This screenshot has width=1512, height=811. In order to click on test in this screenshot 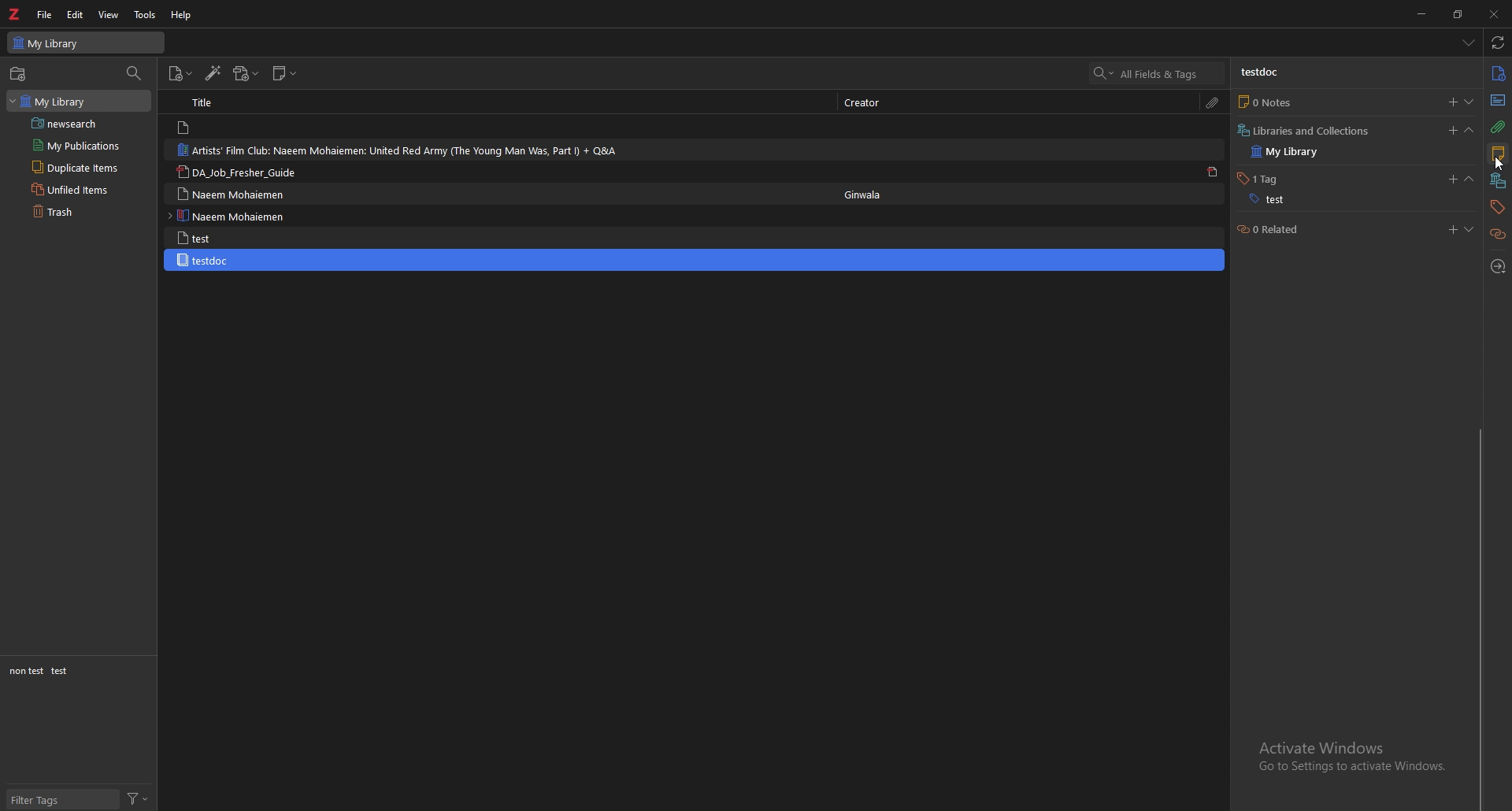, I will do `click(1268, 200)`.